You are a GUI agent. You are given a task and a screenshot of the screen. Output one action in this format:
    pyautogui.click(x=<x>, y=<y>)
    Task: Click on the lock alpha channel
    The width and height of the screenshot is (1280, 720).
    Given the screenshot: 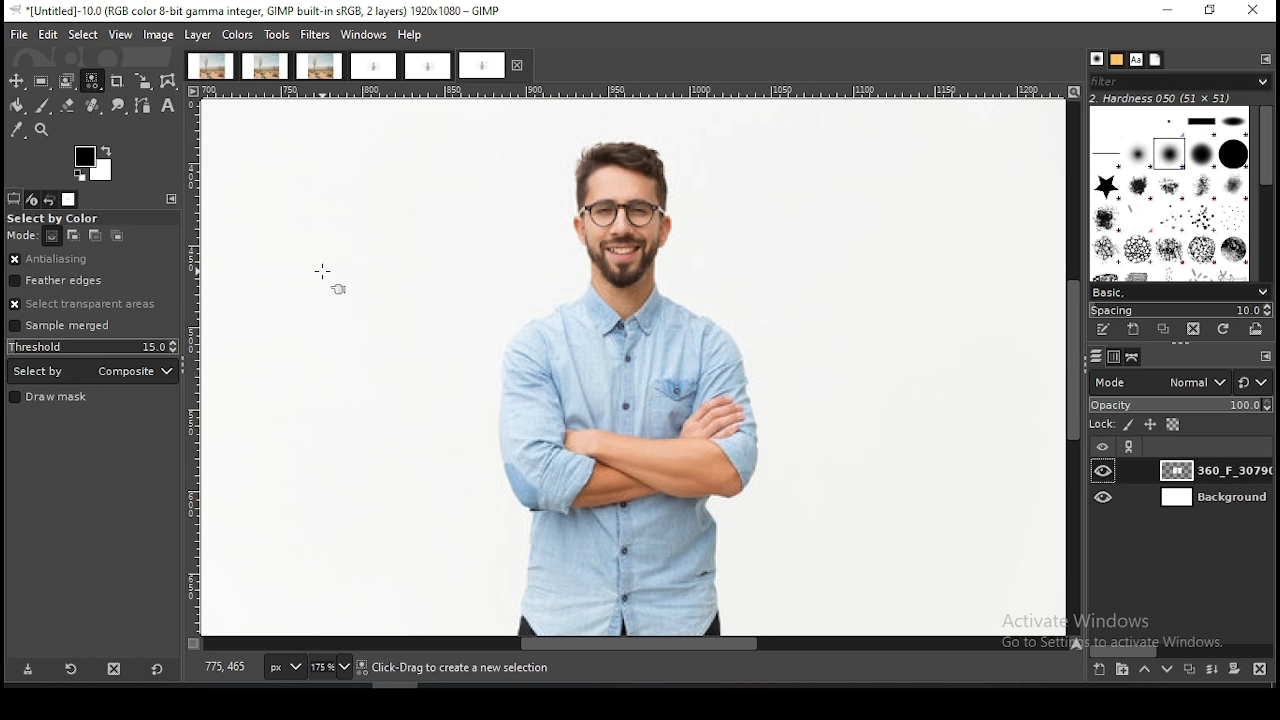 What is the action you would take?
    pyautogui.click(x=1173, y=425)
    